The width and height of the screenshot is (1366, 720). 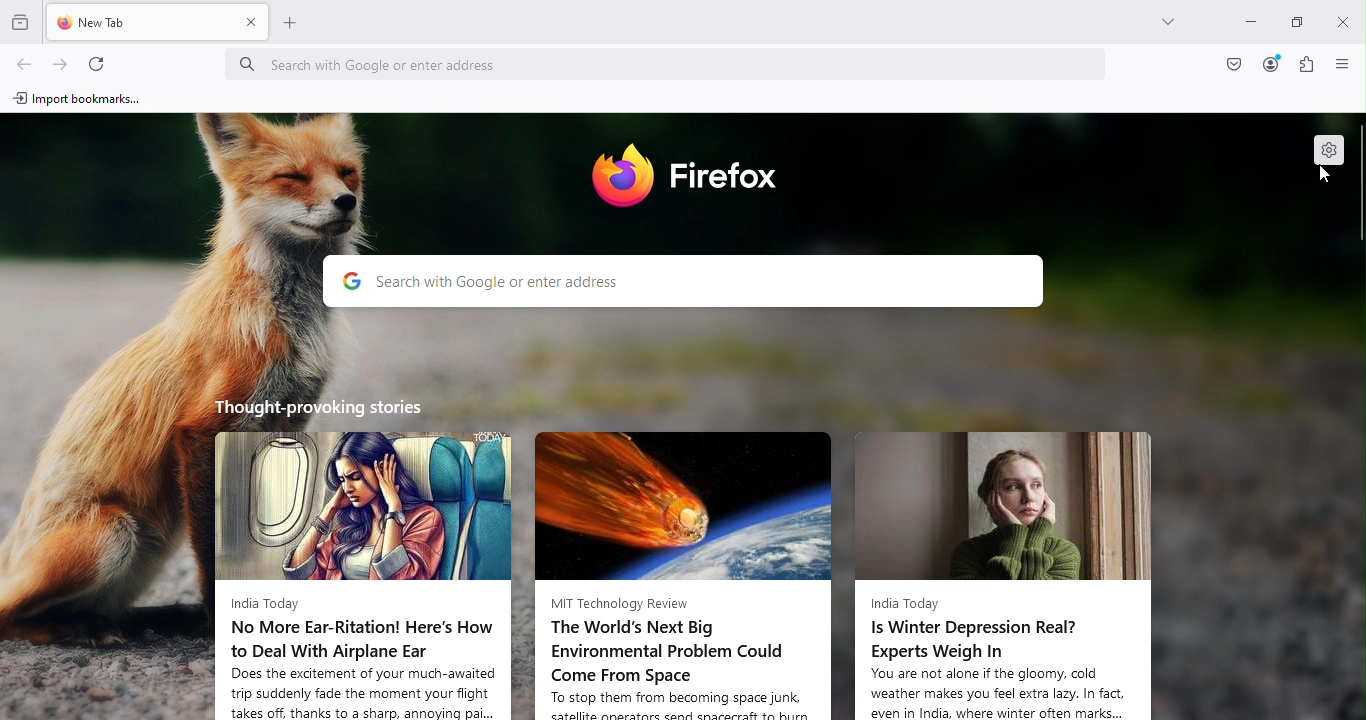 I want to click on Import bookmarks, so click(x=84, y=100).